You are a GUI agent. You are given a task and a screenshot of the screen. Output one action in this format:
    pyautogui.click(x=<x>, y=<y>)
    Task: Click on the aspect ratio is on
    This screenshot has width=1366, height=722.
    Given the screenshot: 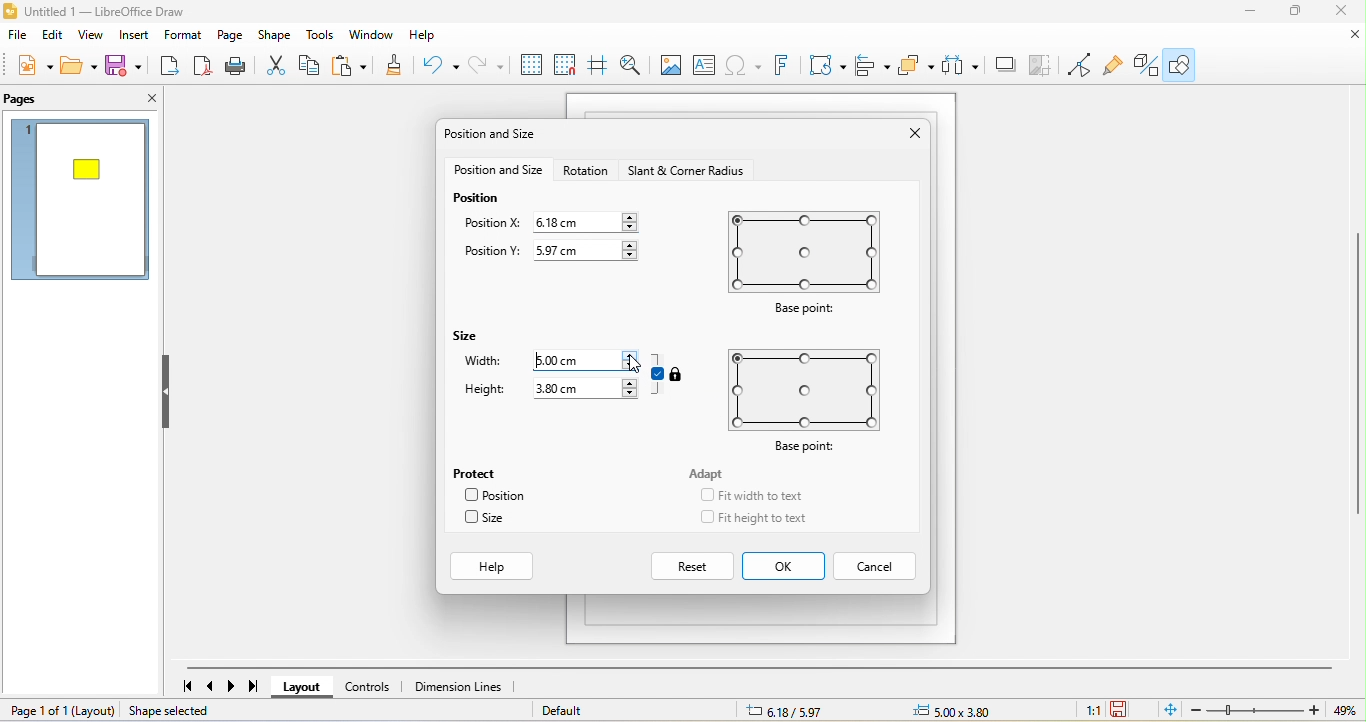 What is the action you would take?
    pyautogui.click(x=657, y=374)
    